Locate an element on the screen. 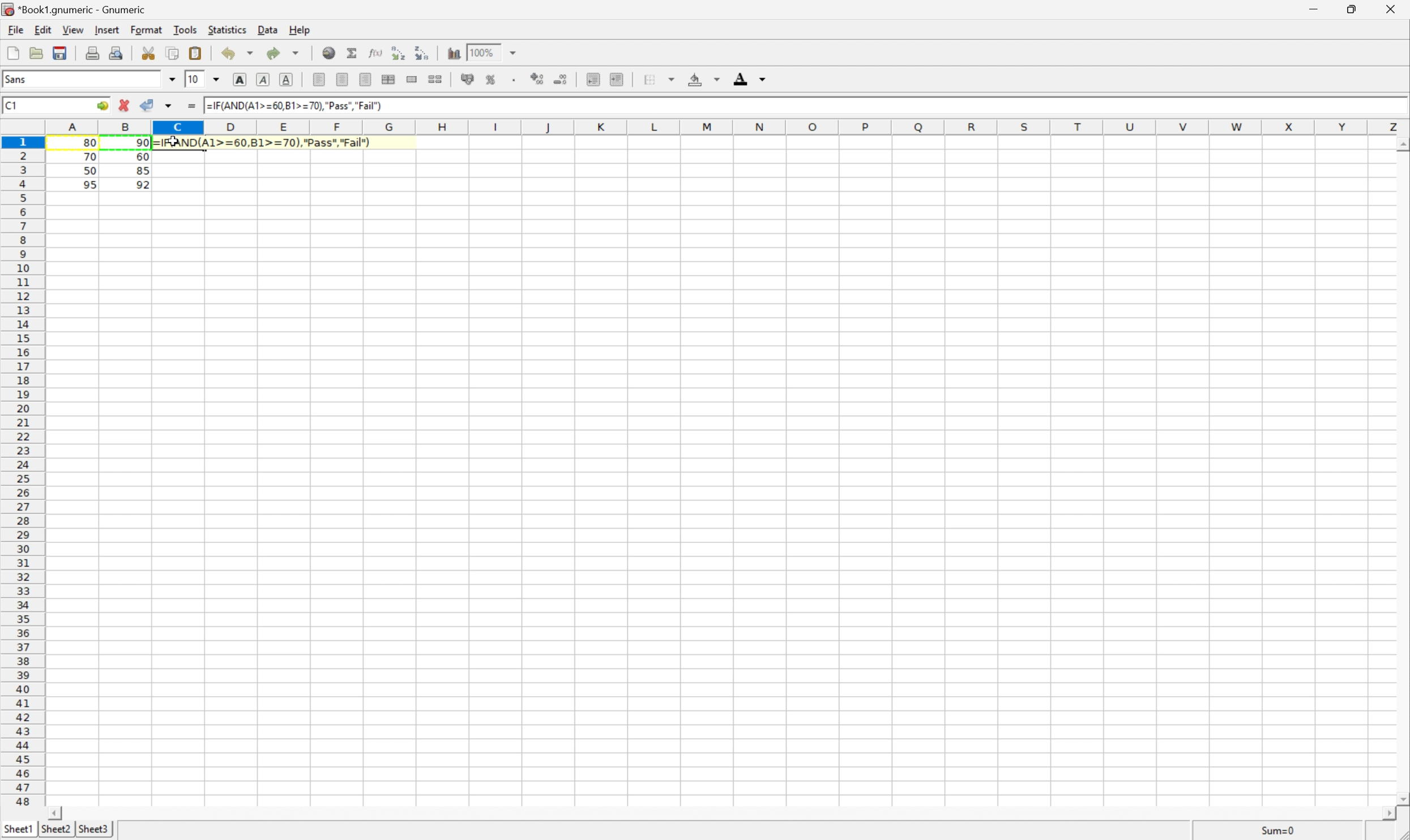 This screenshot has height=840, width=1410. C1 is located at coordinates (11, 104).